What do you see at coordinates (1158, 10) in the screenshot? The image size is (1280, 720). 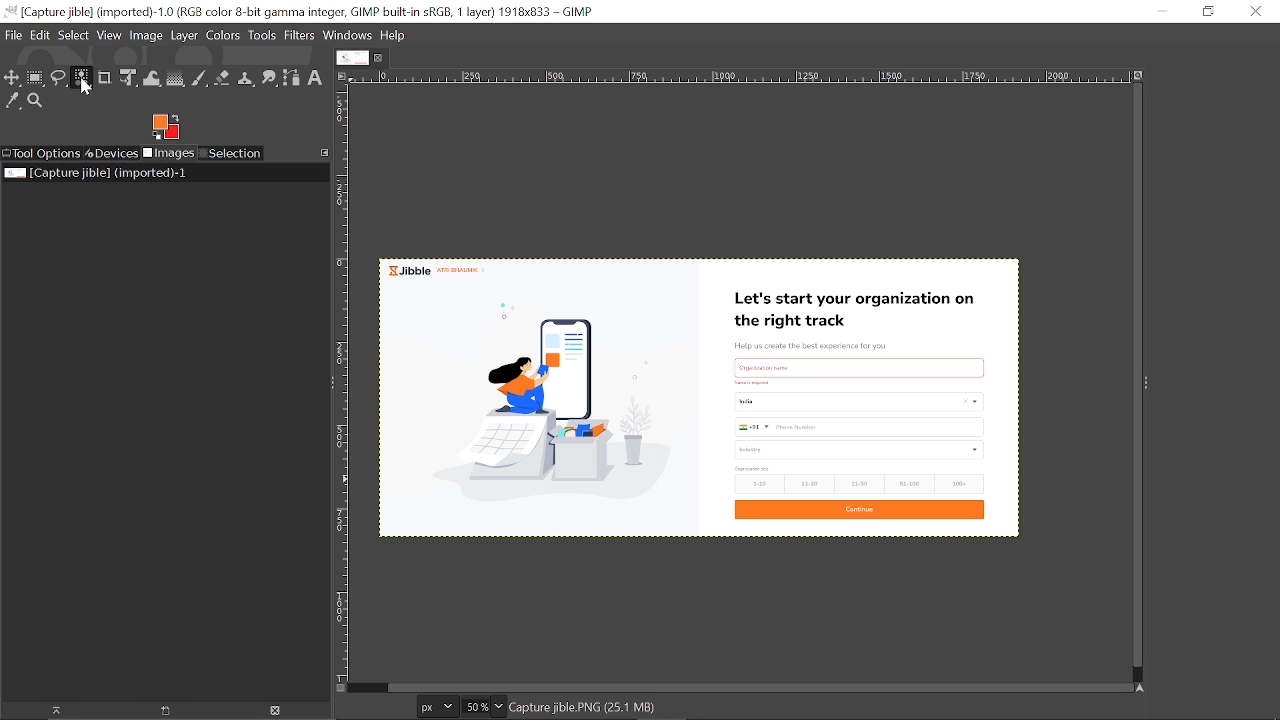 I see `Minimize` at bounding box center [1158, 10].